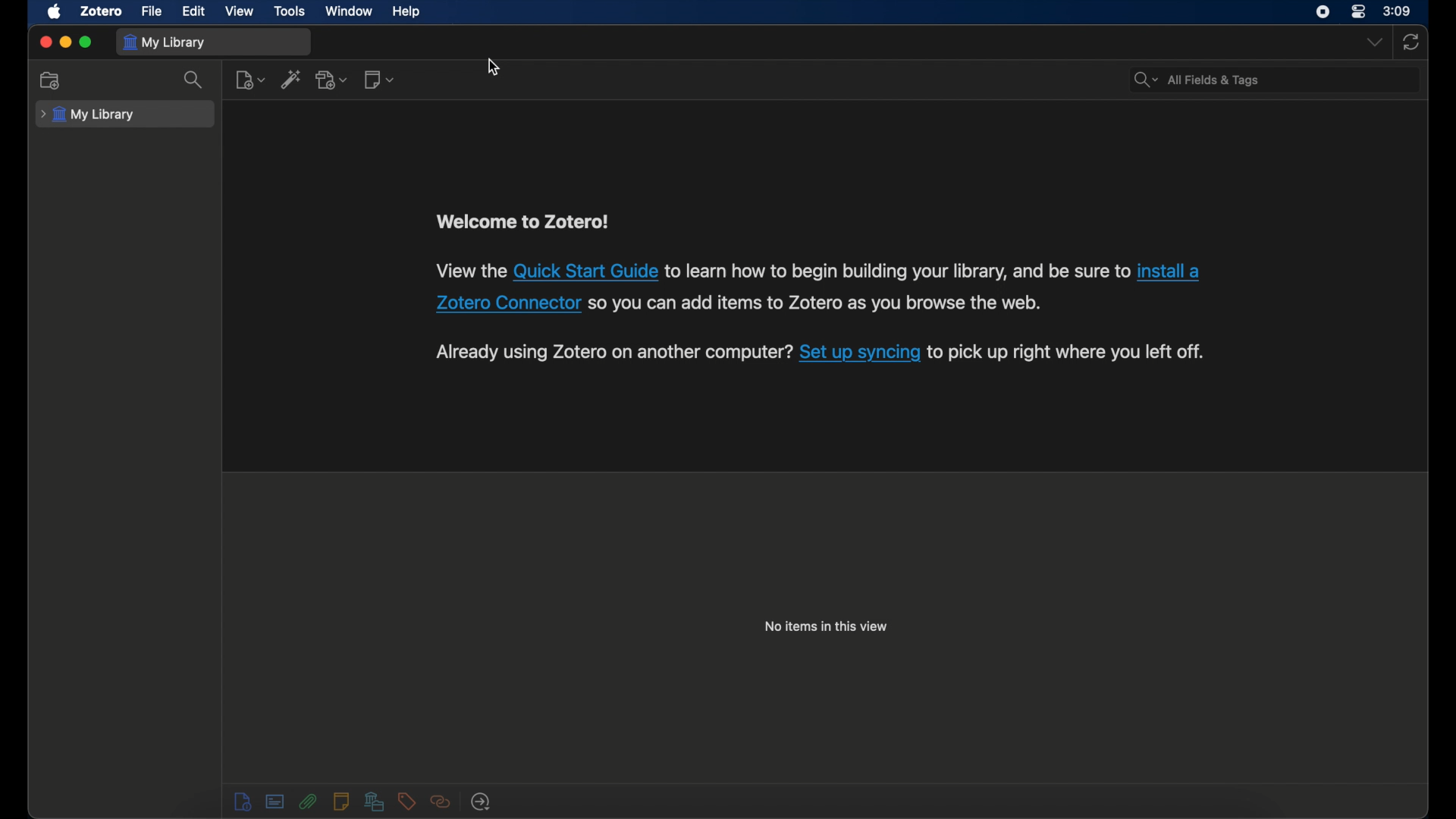 Image resolution: width=1456 pixels, height=819 pixels. I want to click on sync, so click(1412, 42).